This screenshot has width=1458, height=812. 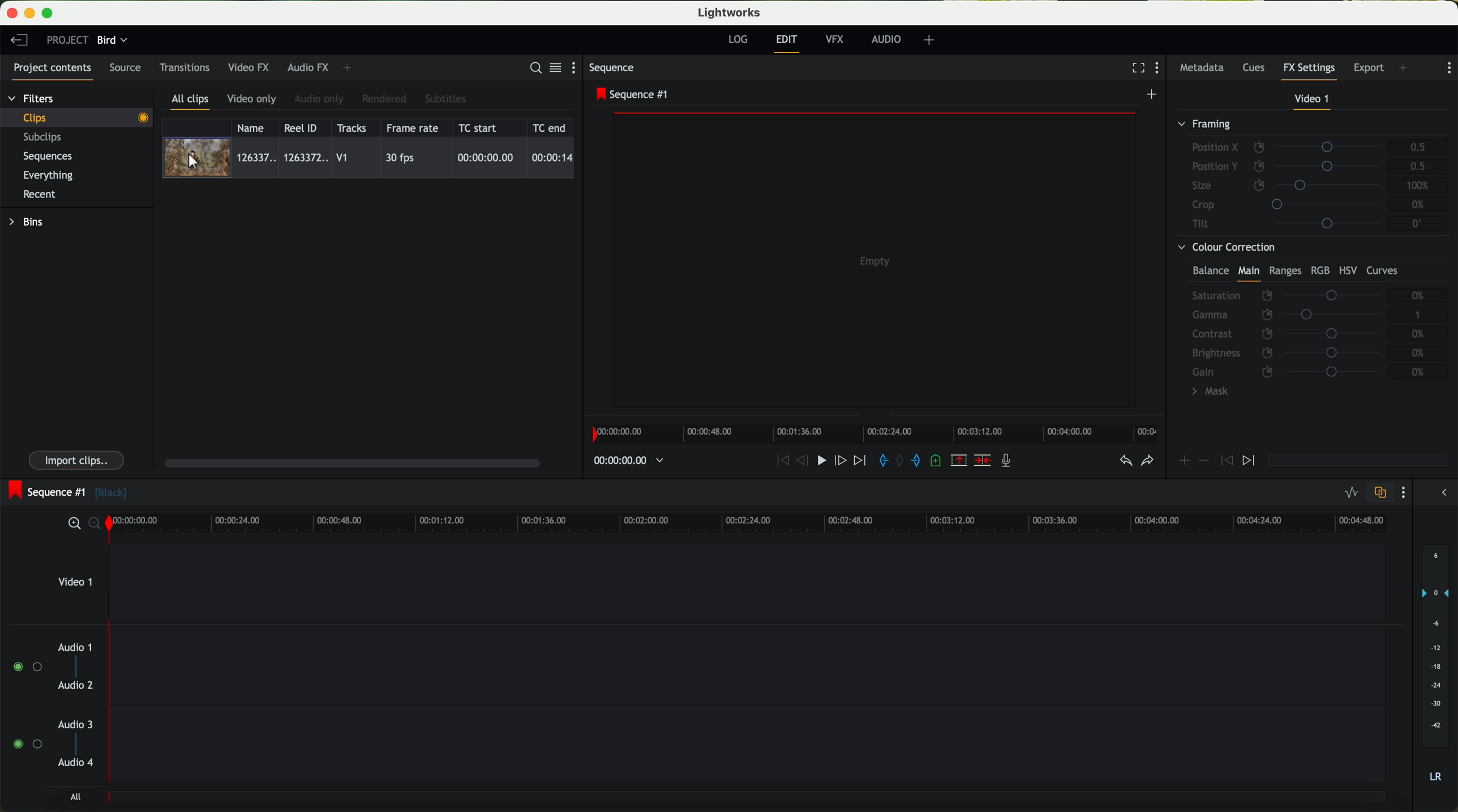 What do you see at coordinates (32, 14) in the screenshot?
I see `minimize program` at bounding box center [32, 14].